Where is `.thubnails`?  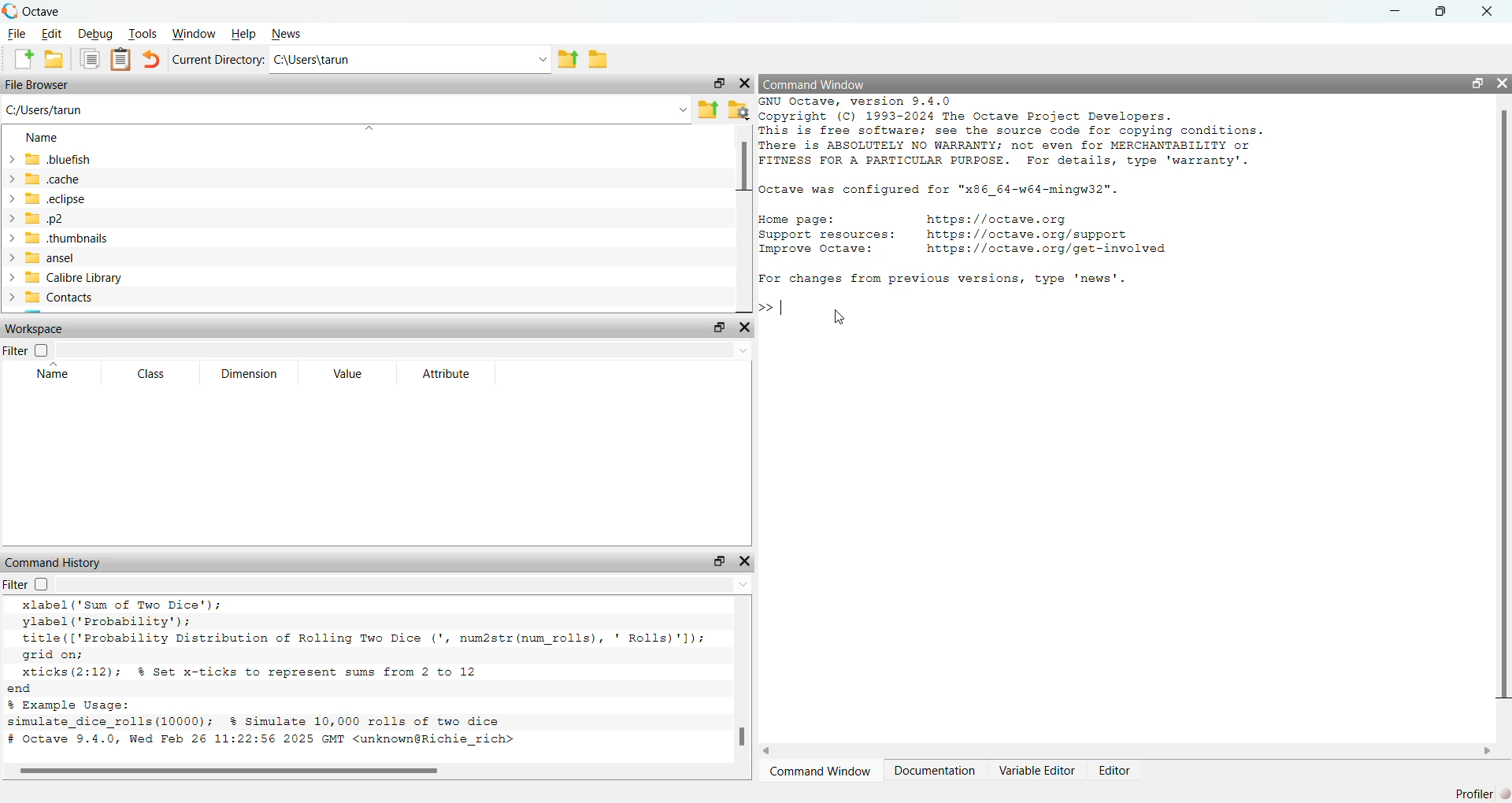
.thubnails is located at coordinates (57, 238).